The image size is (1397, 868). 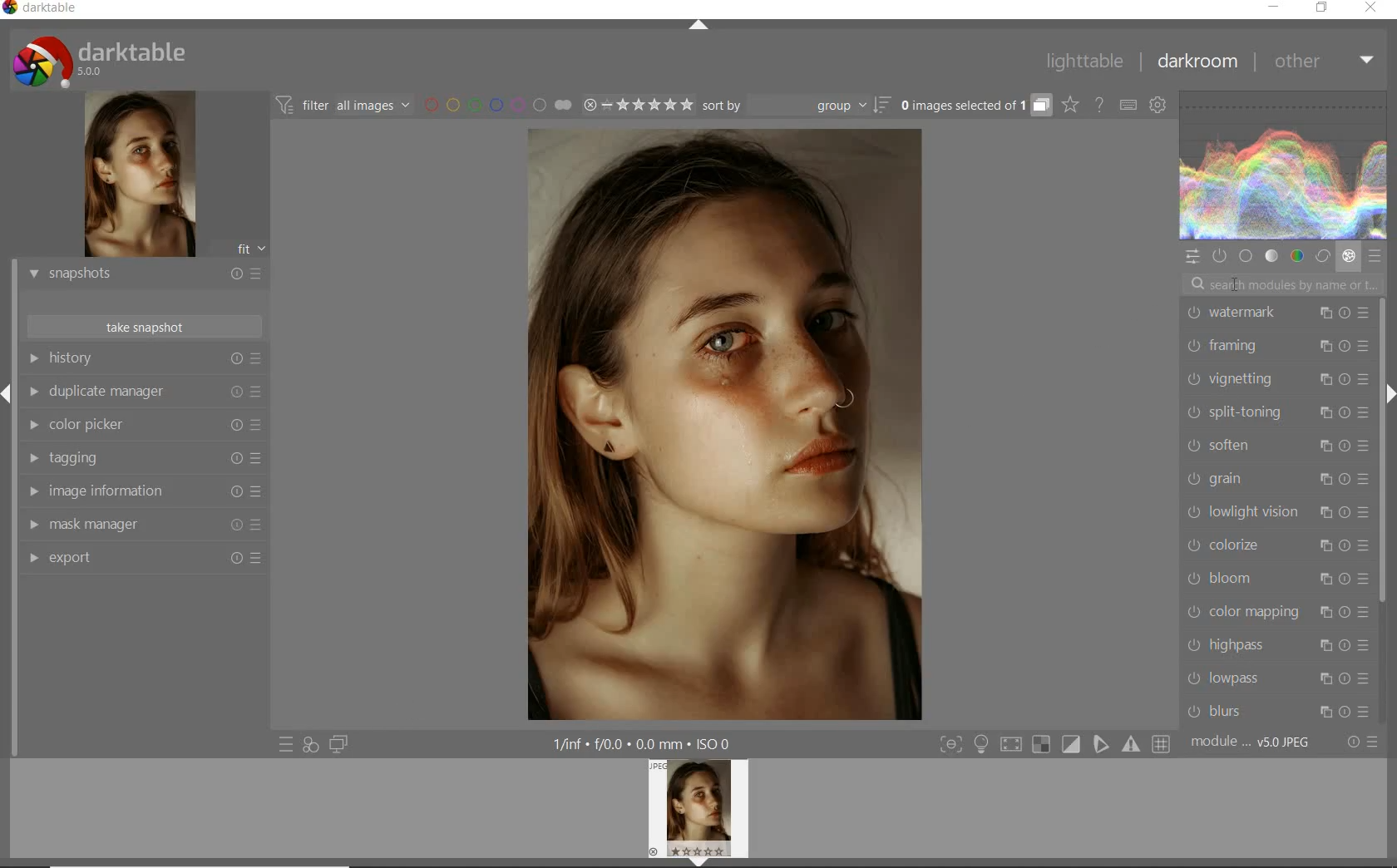 What do you see at coordinates (144, 427) in the screenshot?
I see `color picker` at bounding box center [144, 427].